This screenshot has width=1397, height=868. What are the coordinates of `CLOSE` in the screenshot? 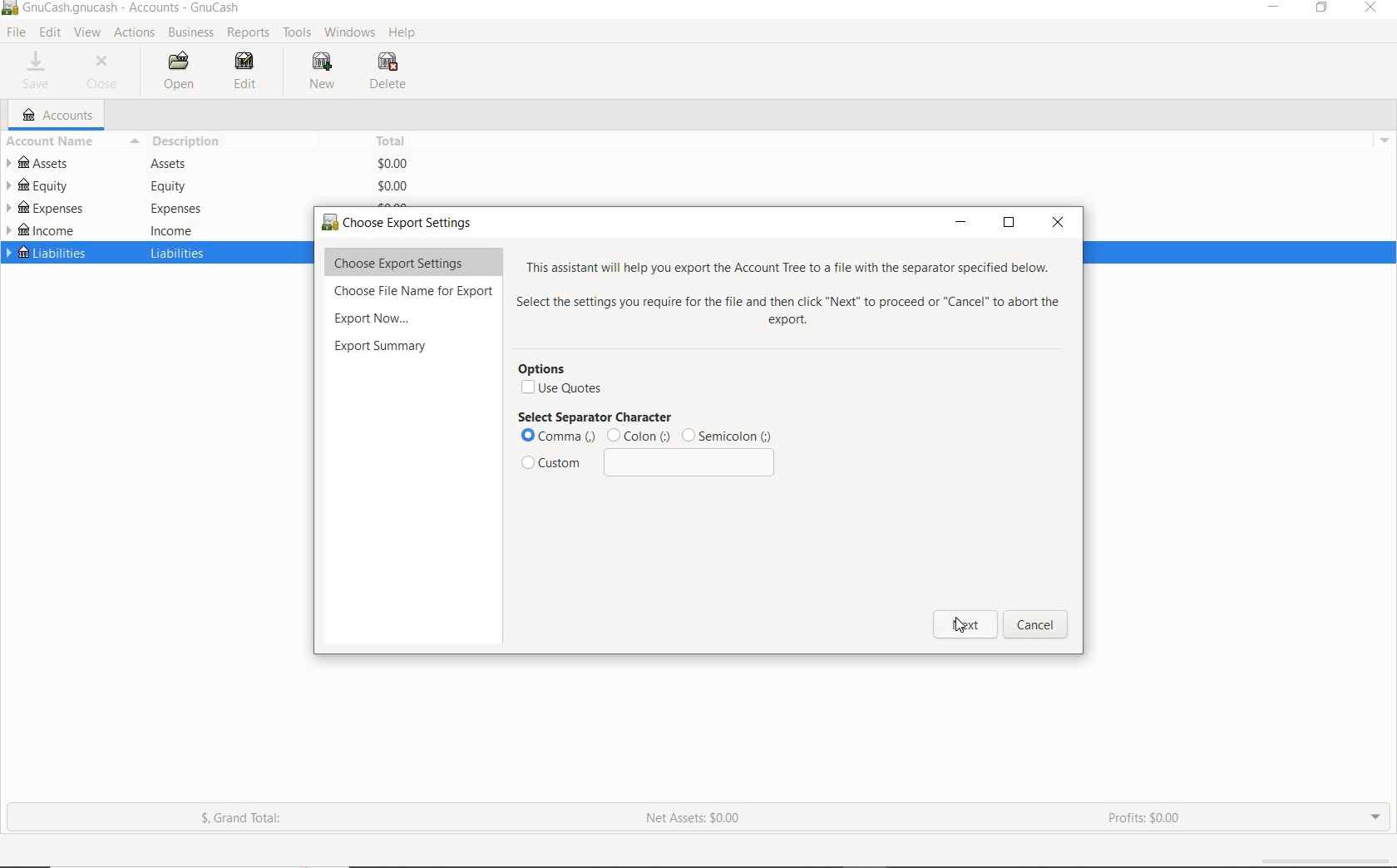 It's located at (1371, 8).